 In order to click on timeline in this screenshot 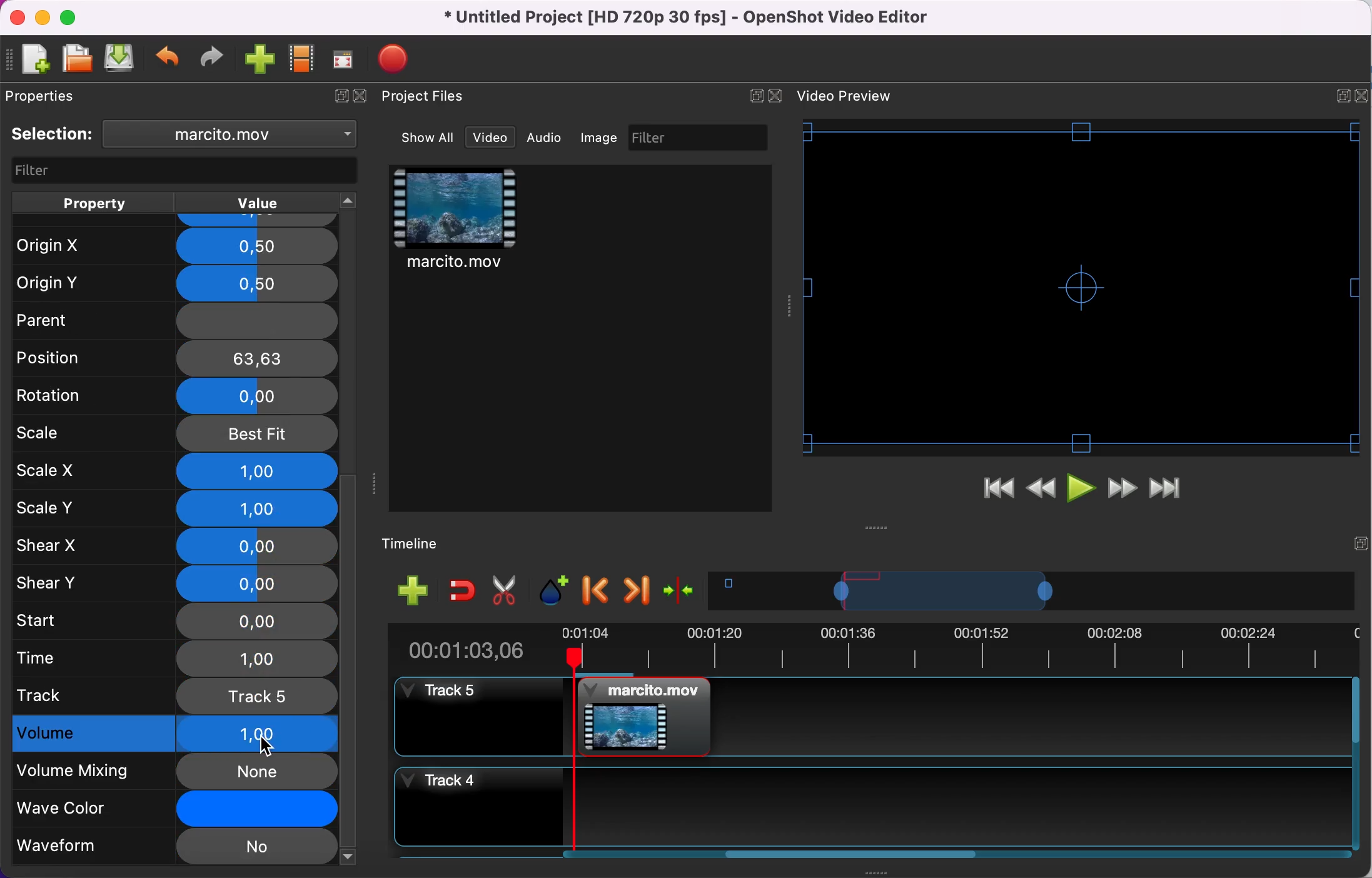, I will do `click(1032, 590)`.